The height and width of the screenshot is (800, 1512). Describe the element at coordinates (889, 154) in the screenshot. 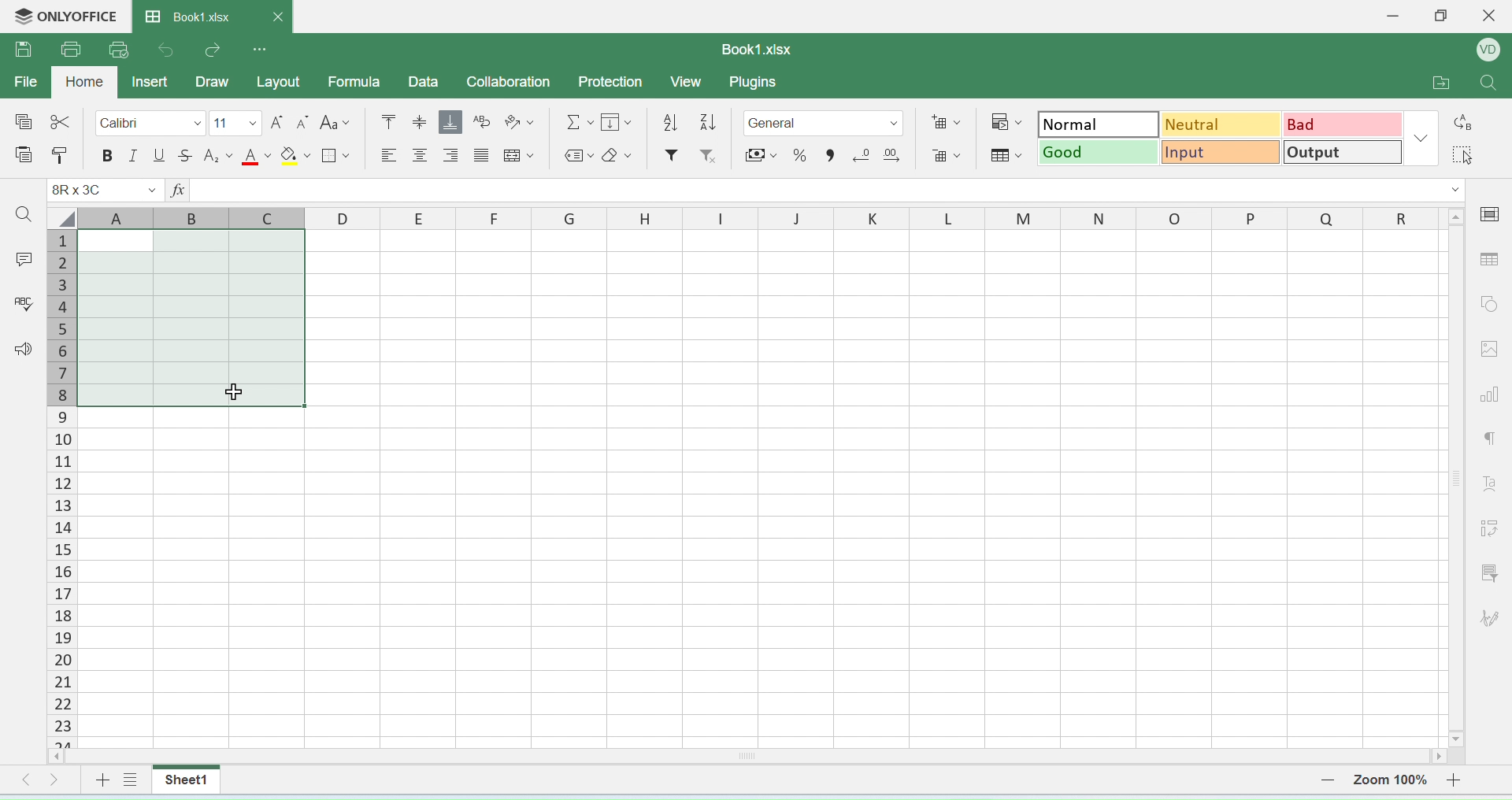

I see `add decimal point` at that location.